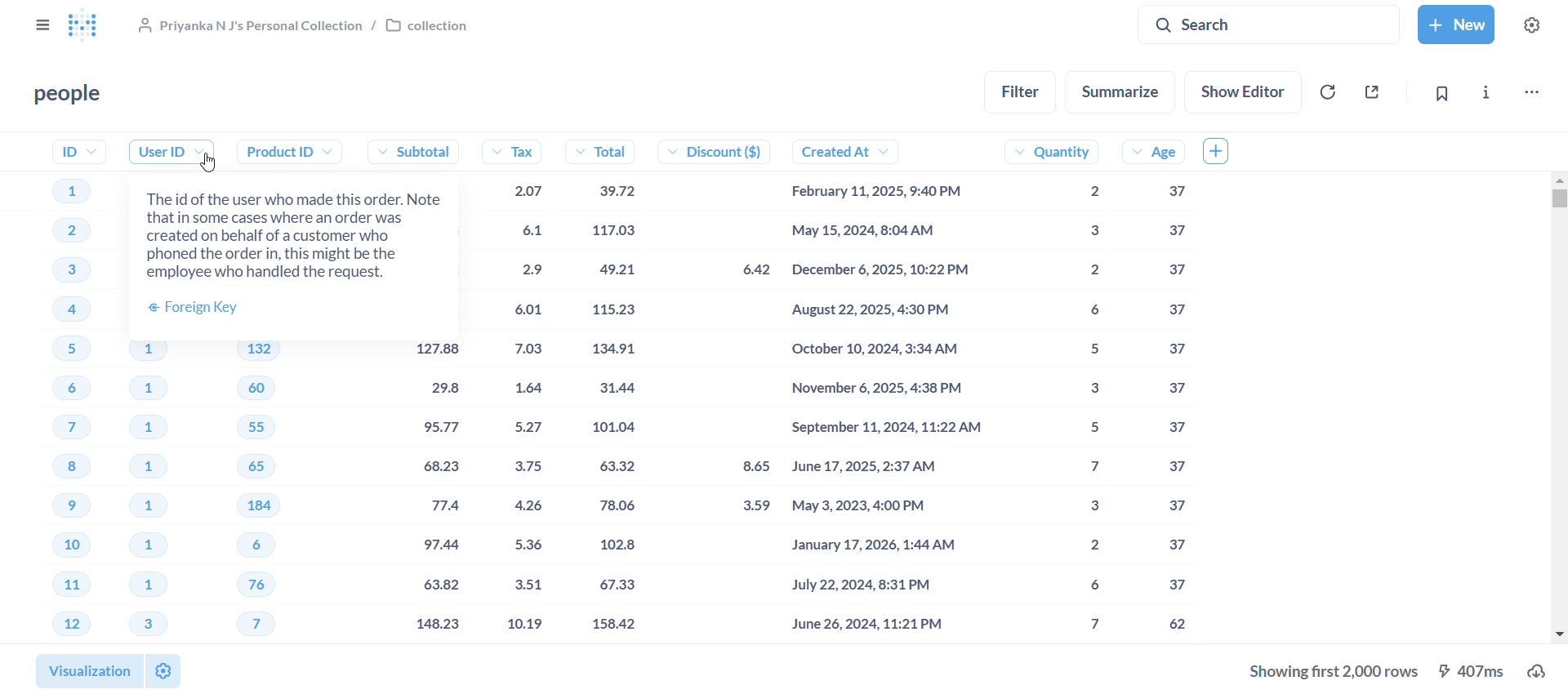 This screenshot has width=1568, height=694. What do you see at coordinates (1536, 24) in the screenshot?
I see `settings` at bounding box center [1536, 24].